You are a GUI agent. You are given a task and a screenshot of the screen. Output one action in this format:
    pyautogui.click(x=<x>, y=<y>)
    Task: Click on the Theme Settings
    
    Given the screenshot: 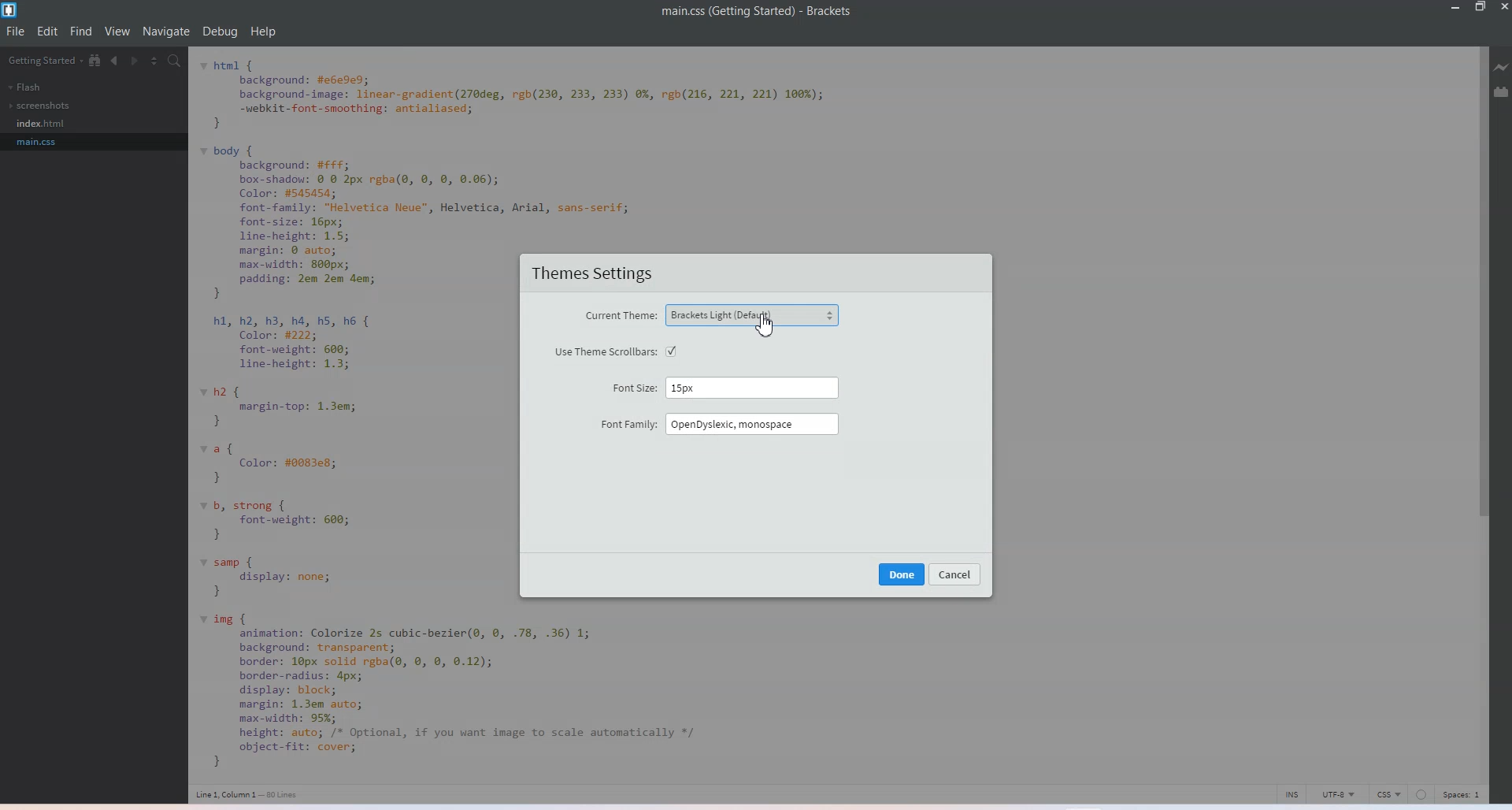 What is the action you would take?
    pyautogui.click(x=593, y=274)
    